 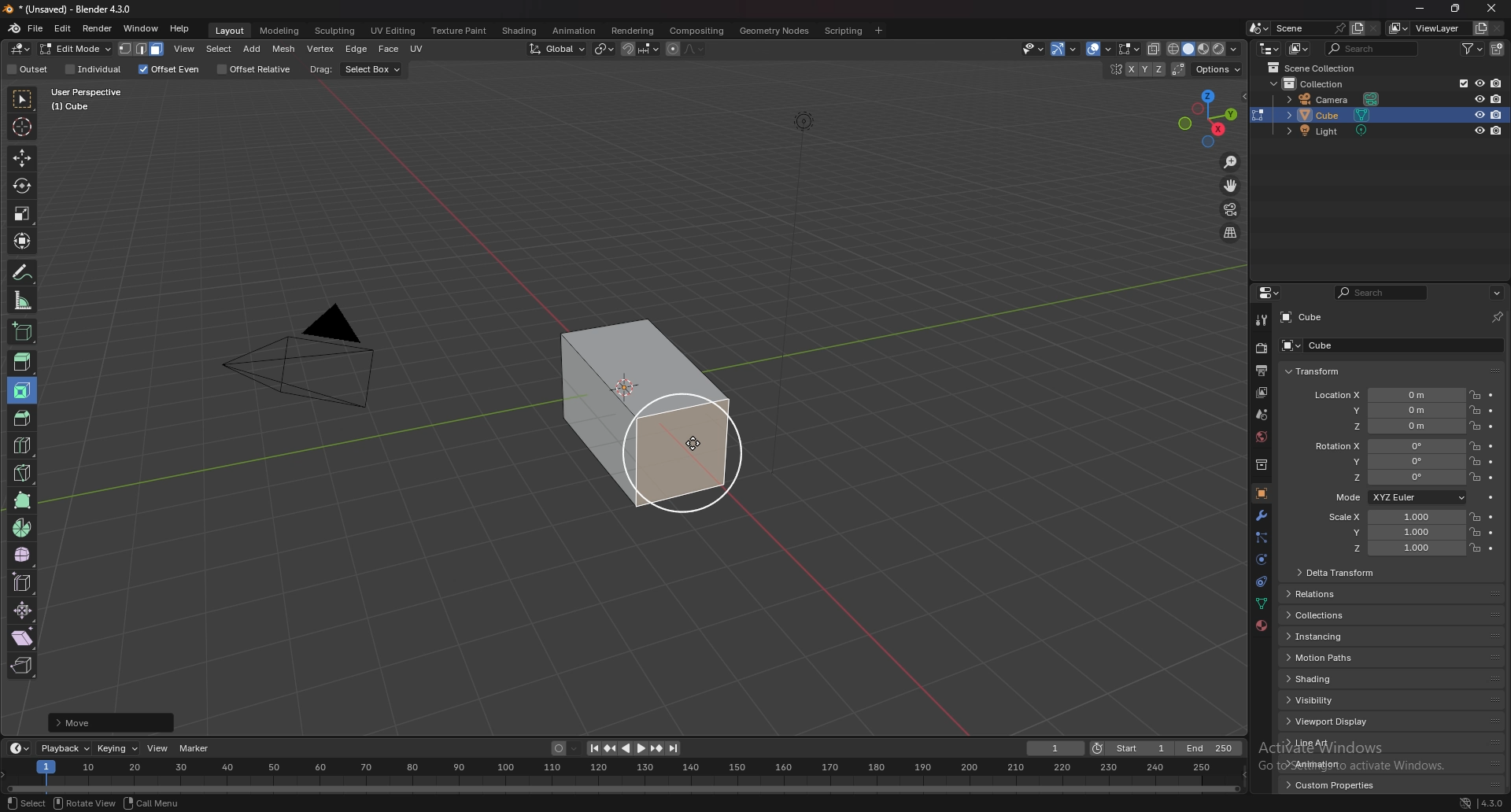 What do you see at coordinates (674, 748) in the screenshot?
I see `jump to endpoint` at bounding box center [674, 748].